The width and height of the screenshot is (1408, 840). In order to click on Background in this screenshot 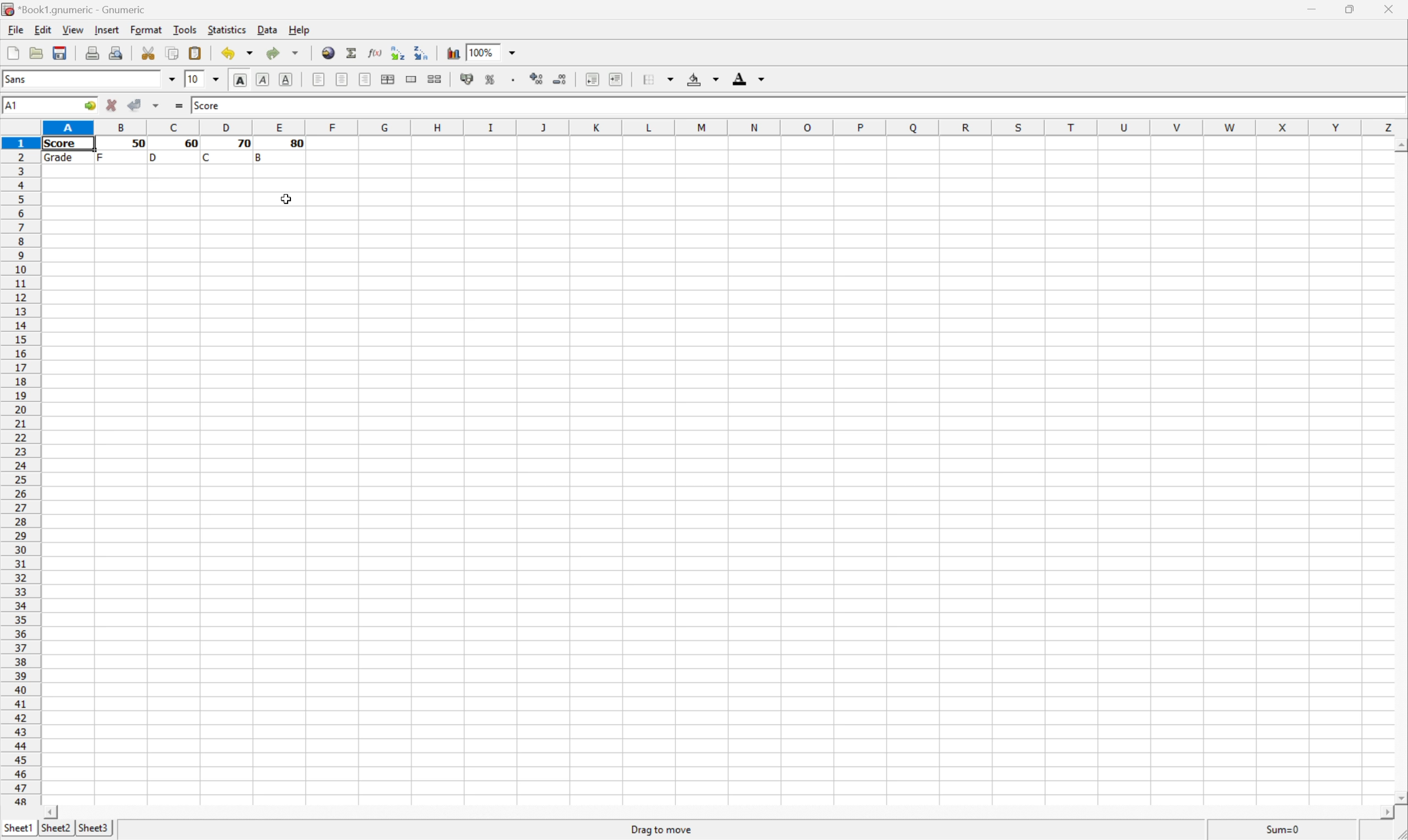, I will do `click(706, 79)`.